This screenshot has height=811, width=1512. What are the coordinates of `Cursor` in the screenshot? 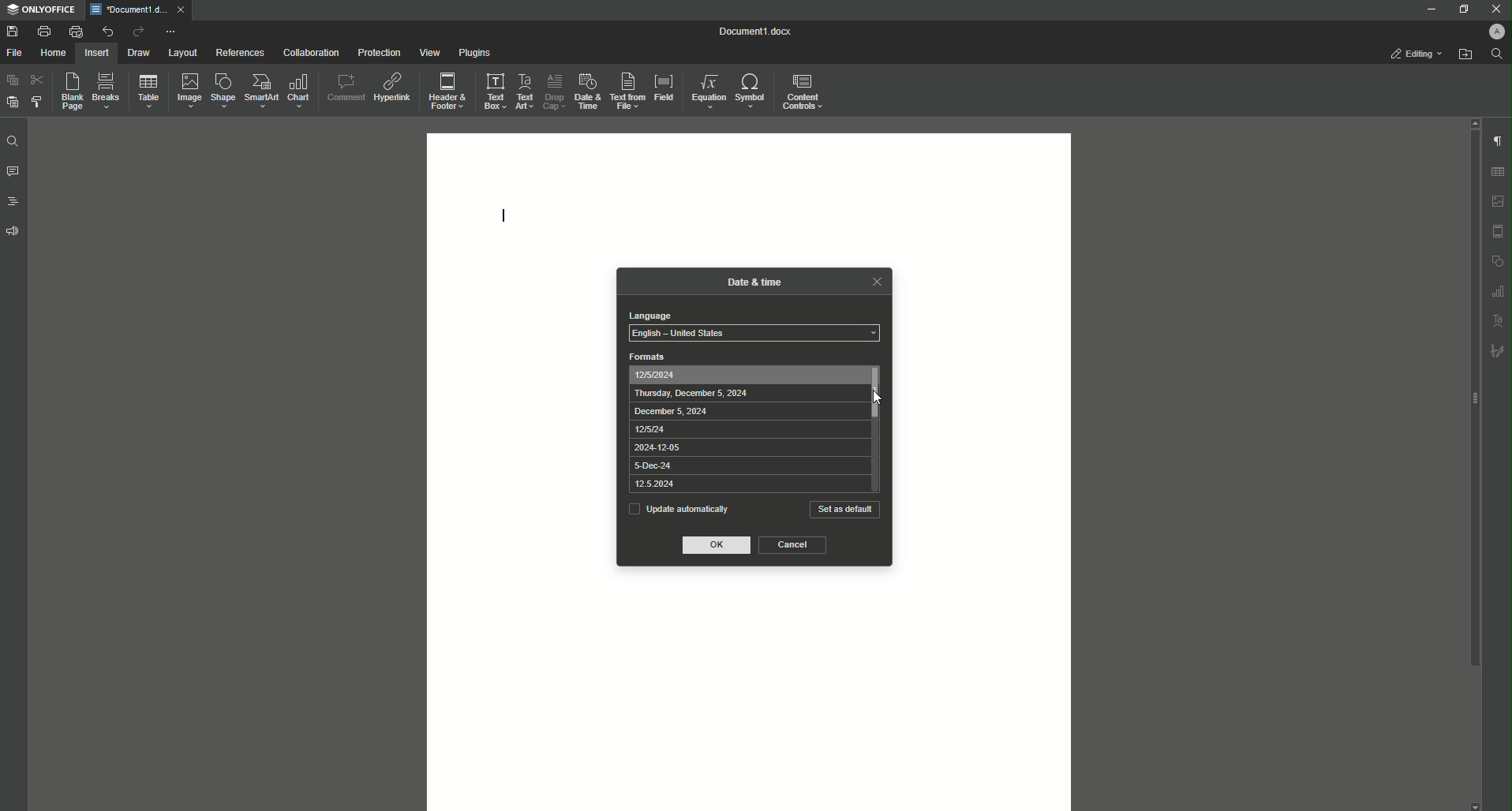 It's located at (876, 397).